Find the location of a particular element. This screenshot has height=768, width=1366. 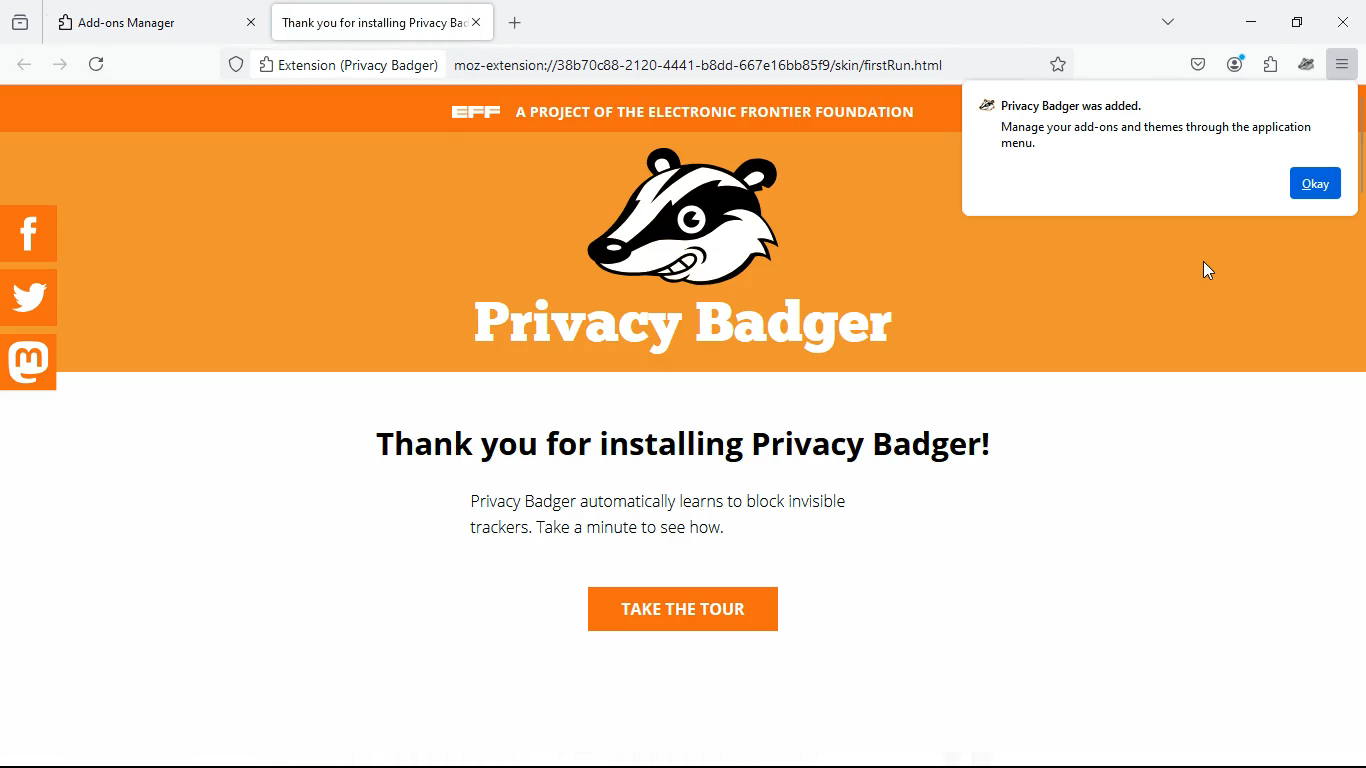

m is located at coordinates (31, 364).